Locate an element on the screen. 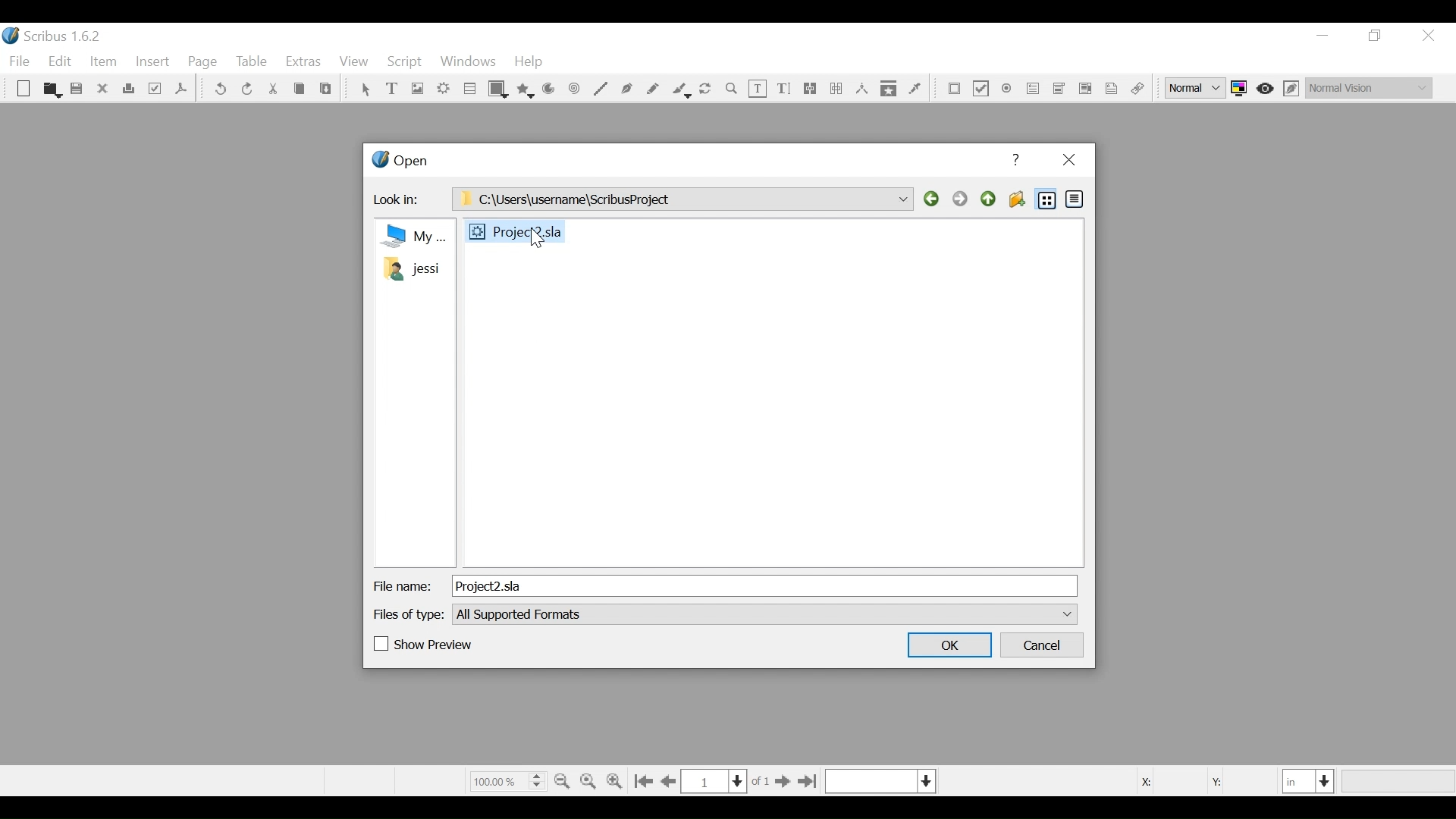  Insert is located at coordinates (153, 64).